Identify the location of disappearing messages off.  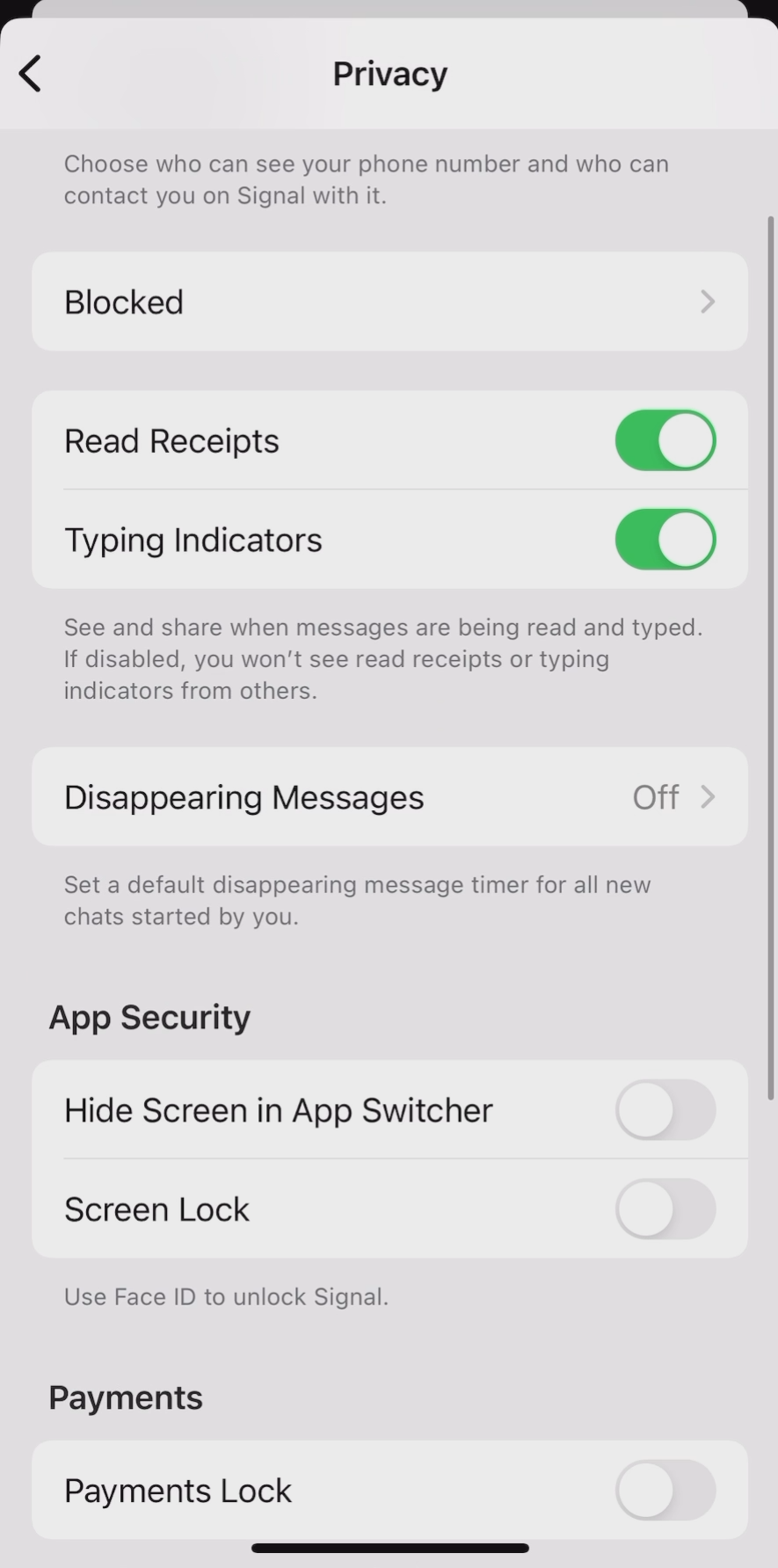
(396, 796).